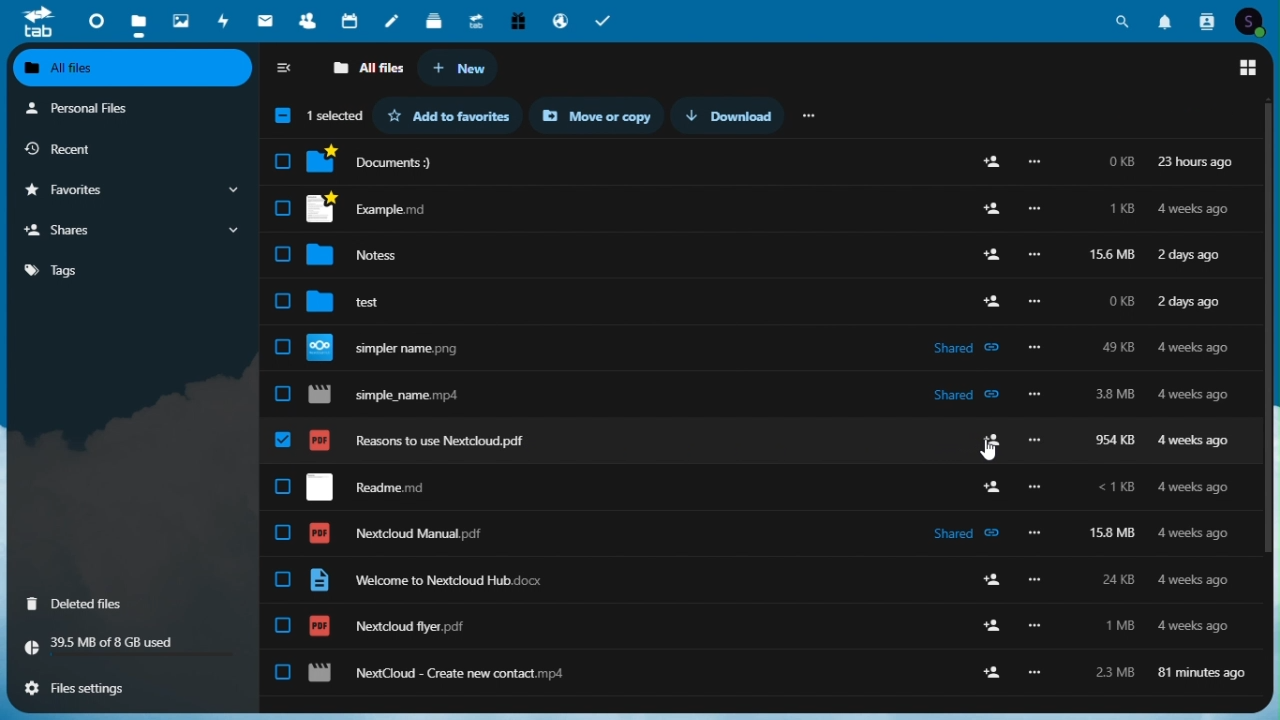 The height and width of the screenshot is (720, 1280). I want to click on check box, so click(282, 394).